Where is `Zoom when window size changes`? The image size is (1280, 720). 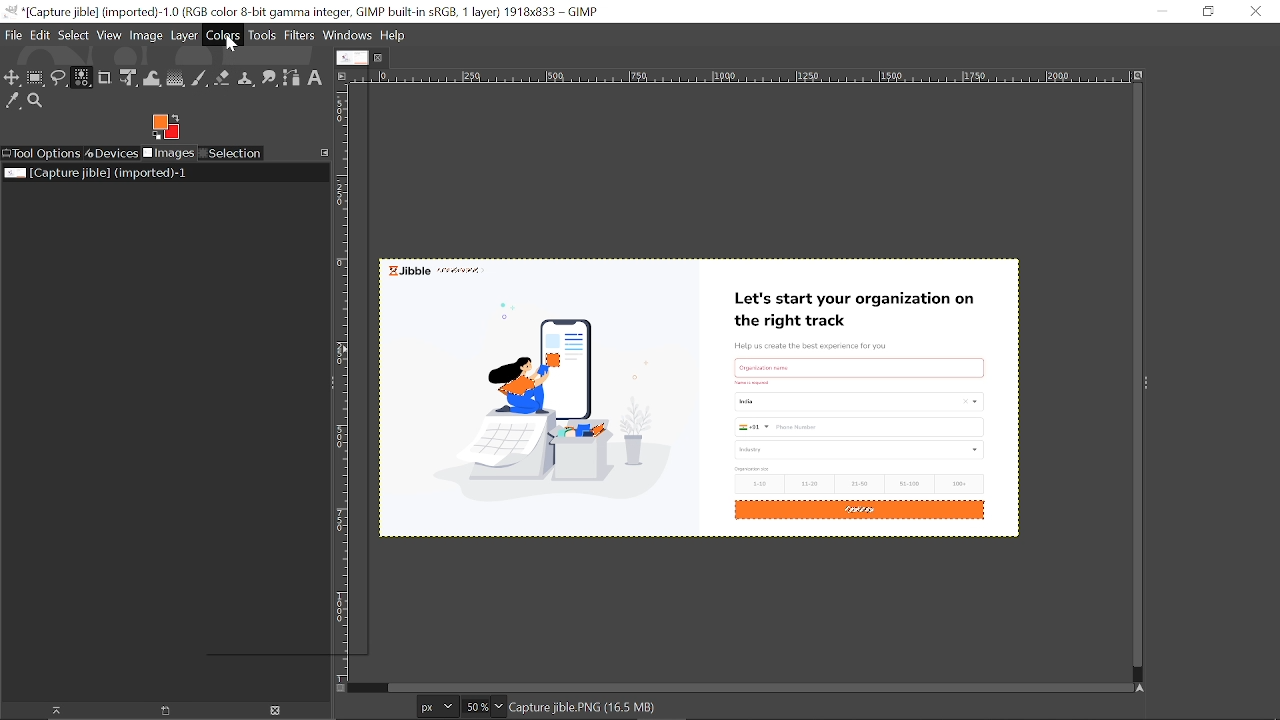
Zoom when window size changes is located at coordinates (1136, 77).